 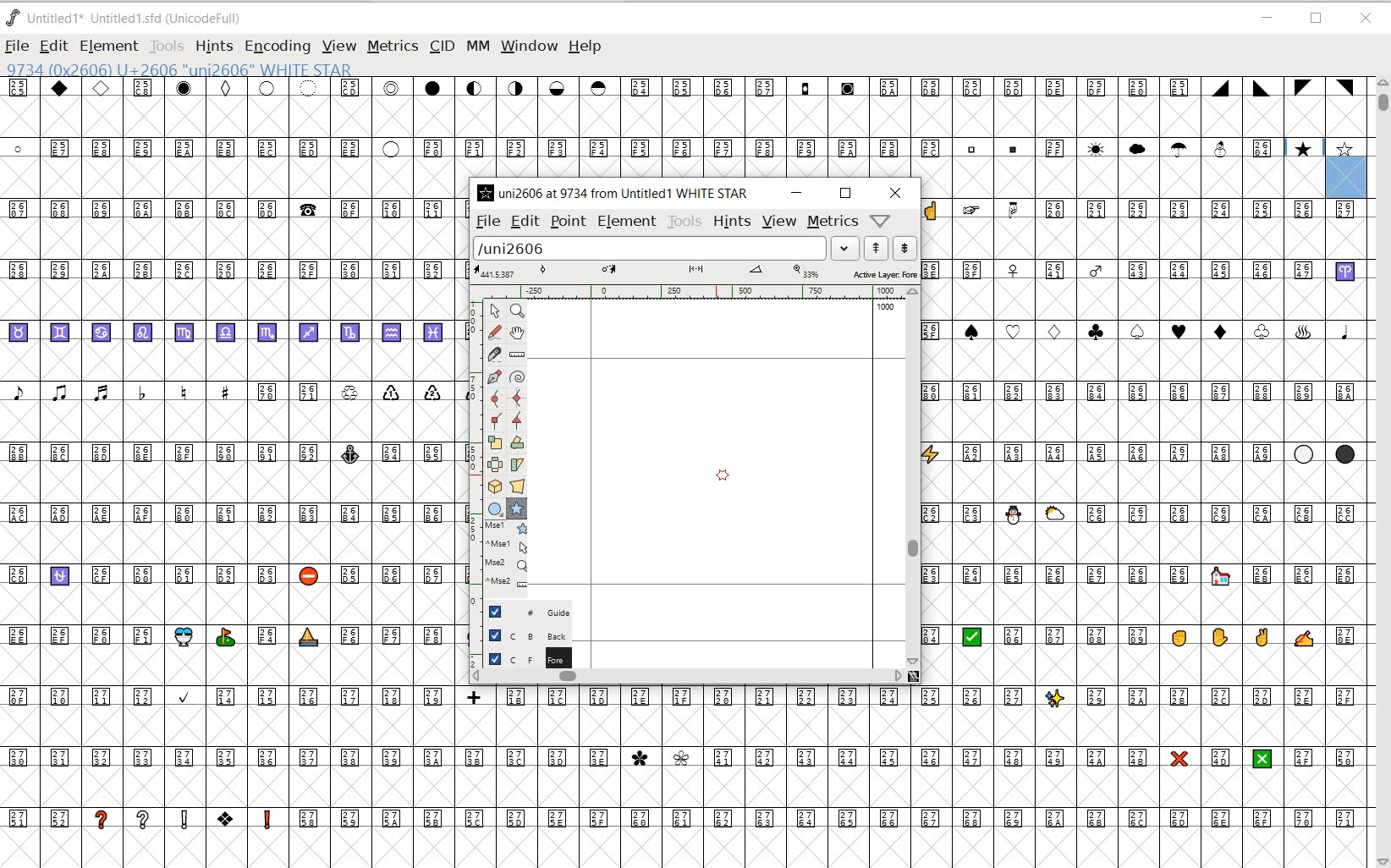 What do you see at coordinates (519, 465) in the screenshot?
I see `SKEW THE SELECTION` at bounding box center [519, 465].